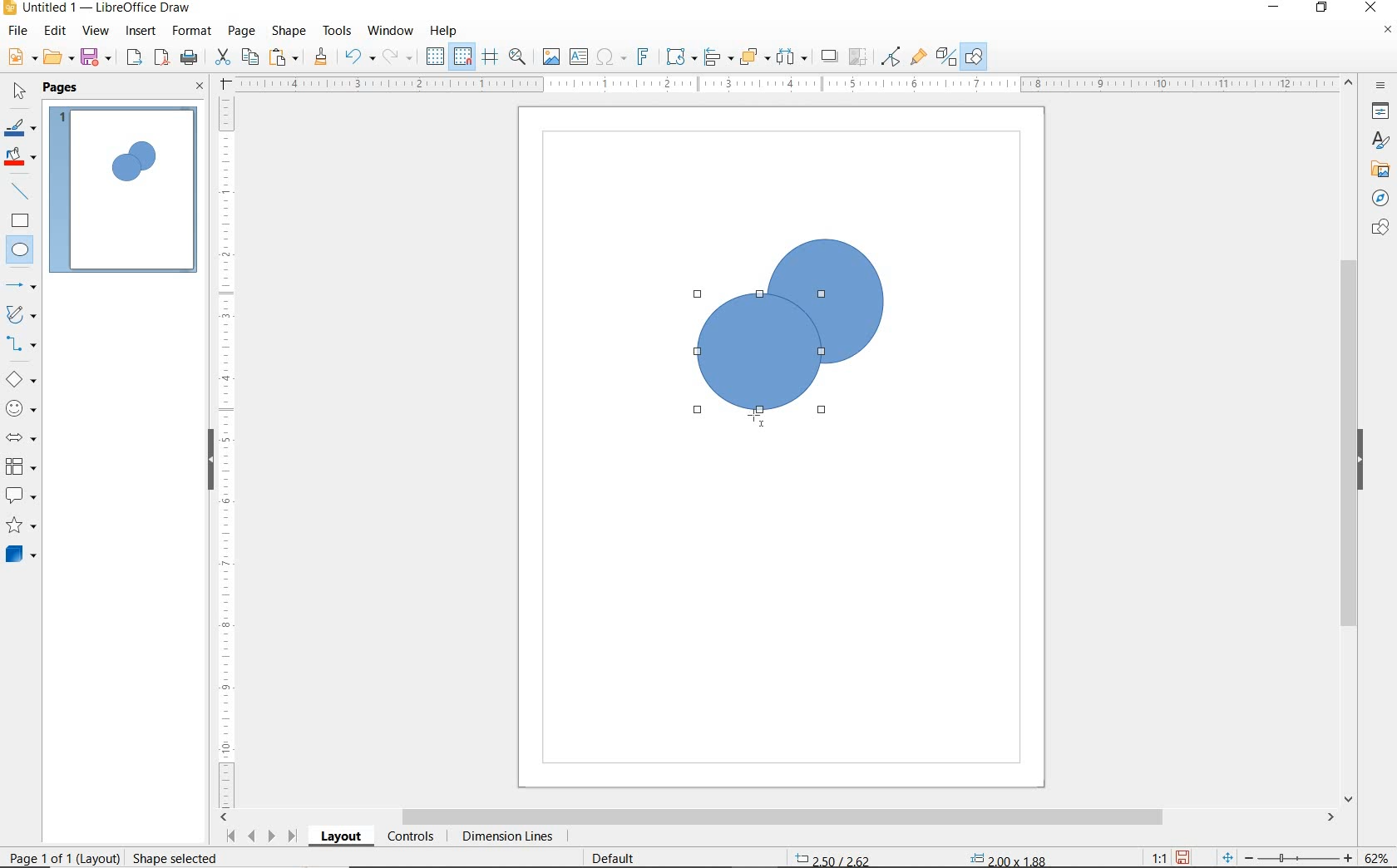 This screenshot has height=868, width=1397. Describe the element at coordinates (462, 57) in the screenshot. I see `SNAP TO GRID` at that location.